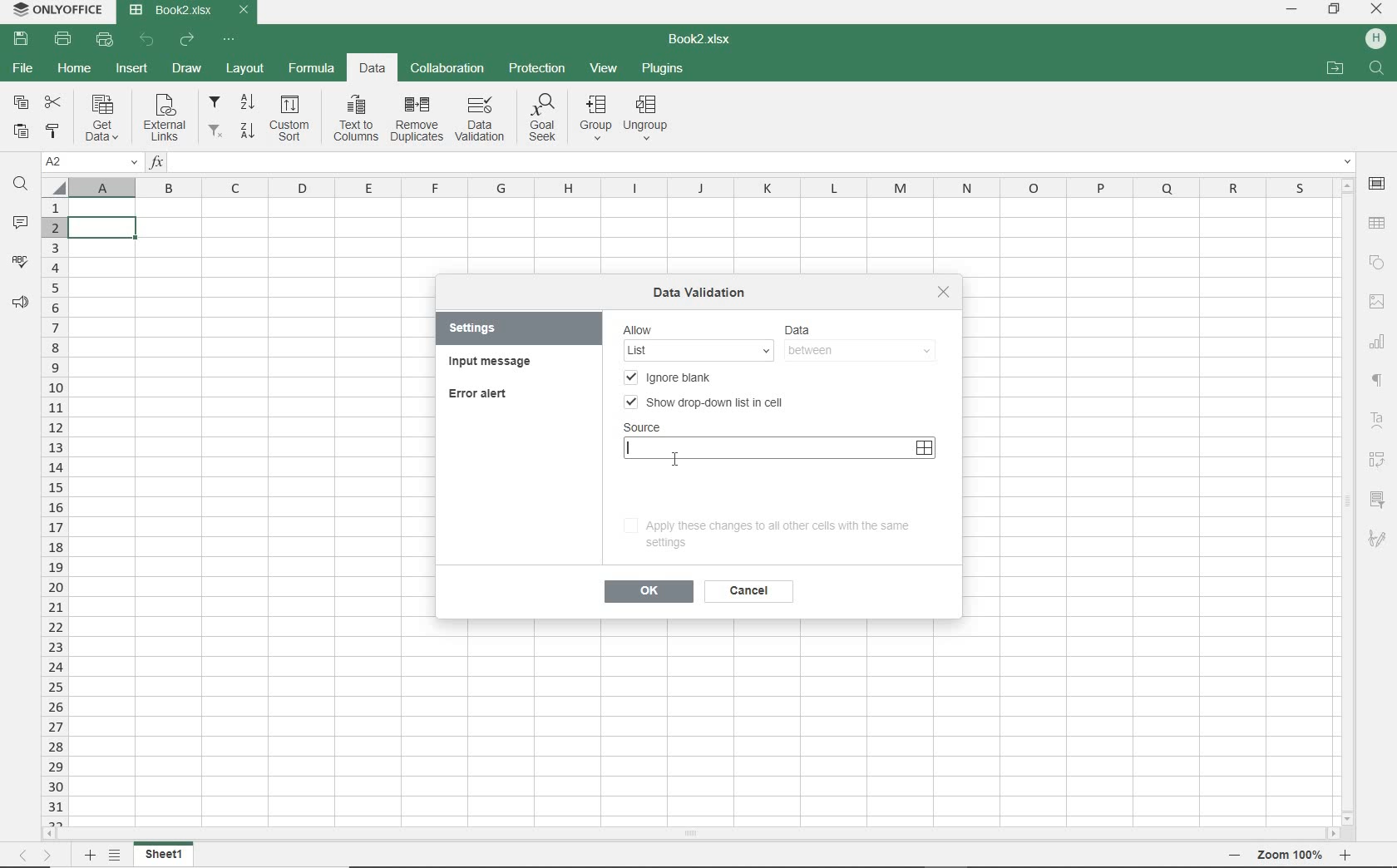 The width and height of the screenshot is (1397, 868). What do you see at coordinates (631, 448) in the screenshot?
I see `TYPING` at bounding box center [631, 448].